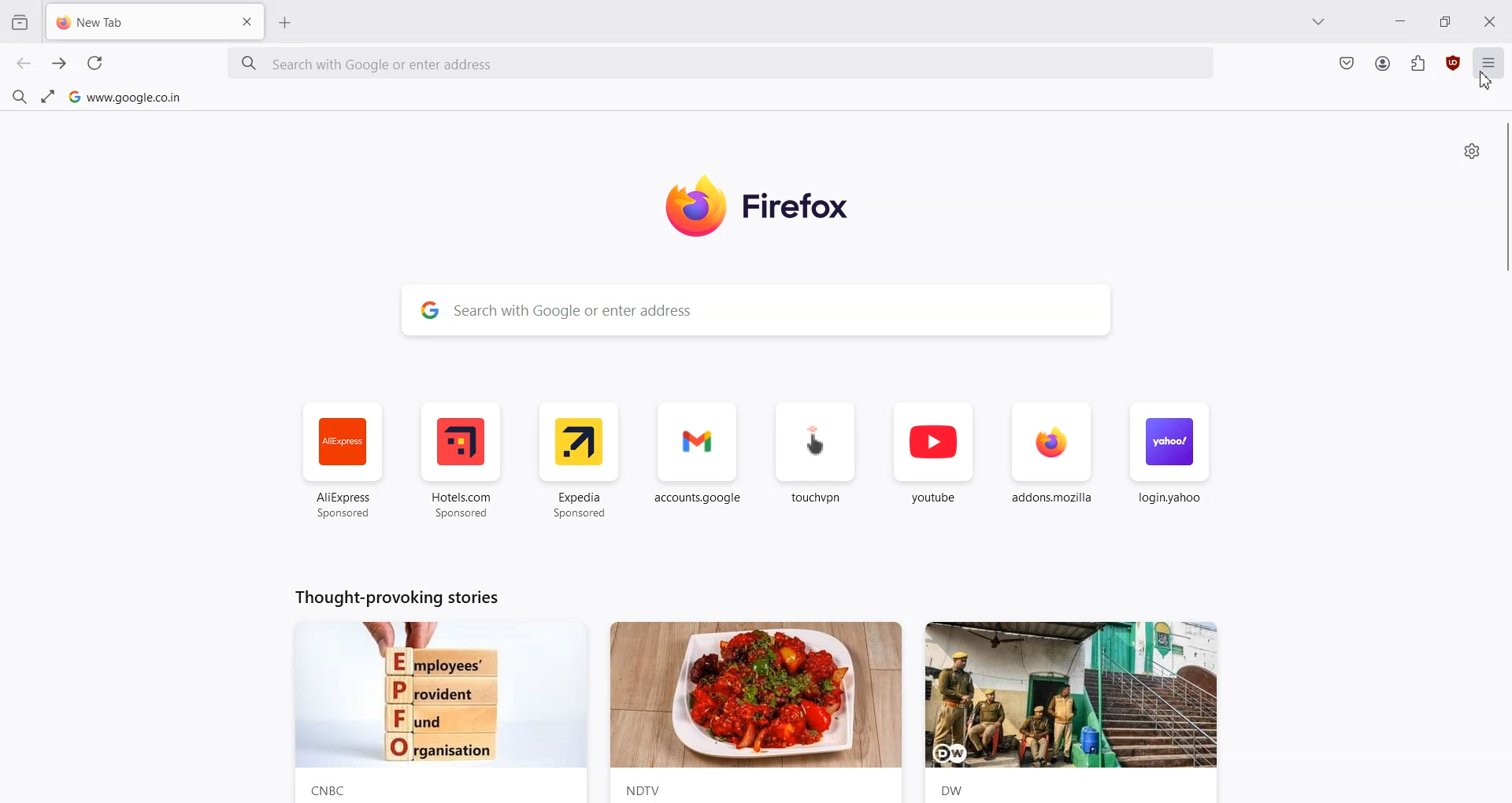  What do you see at coordinates (1168, 462) in the screenshot?
I see `login.yahoo` at bounding box center [1168, 462].